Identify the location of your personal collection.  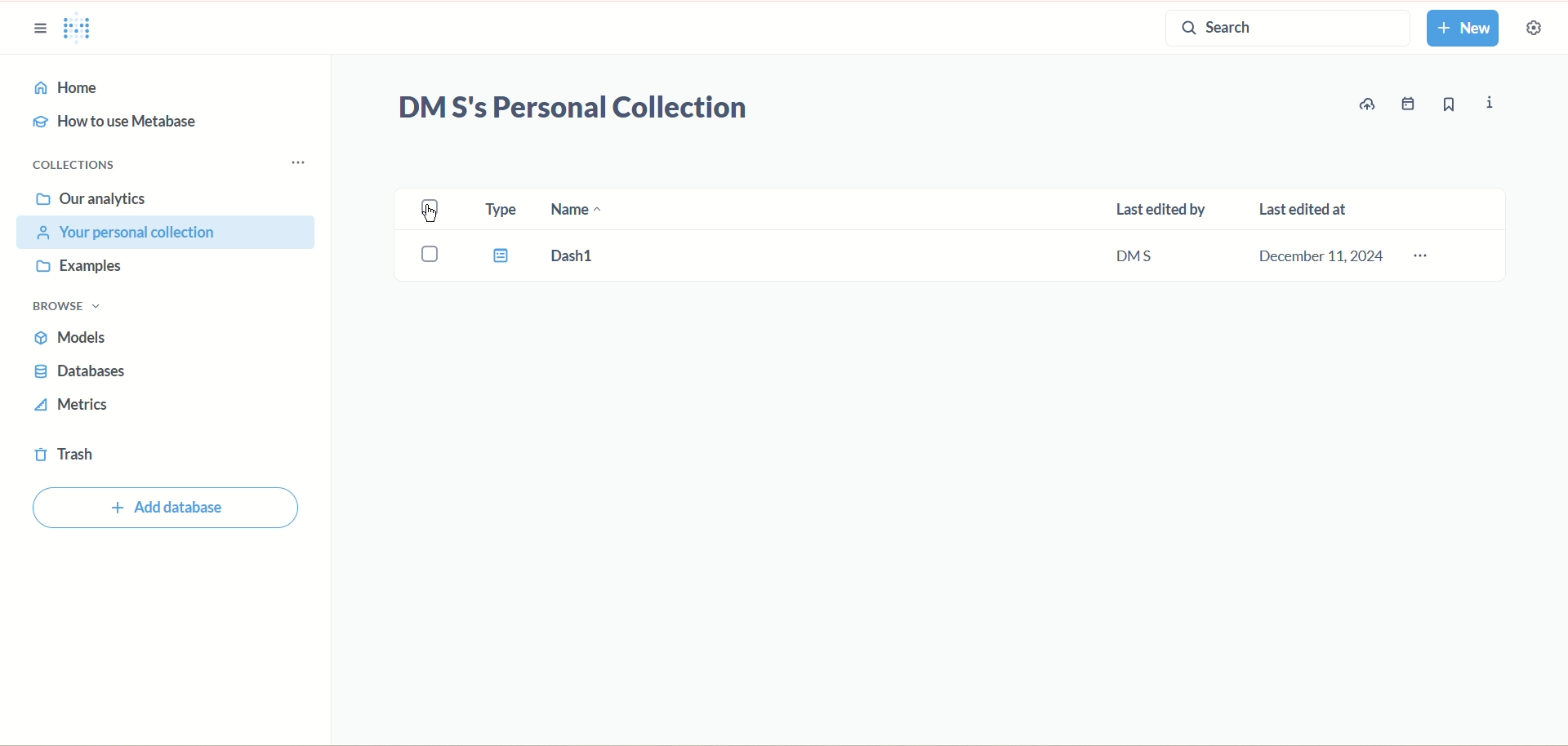
(165, 233).